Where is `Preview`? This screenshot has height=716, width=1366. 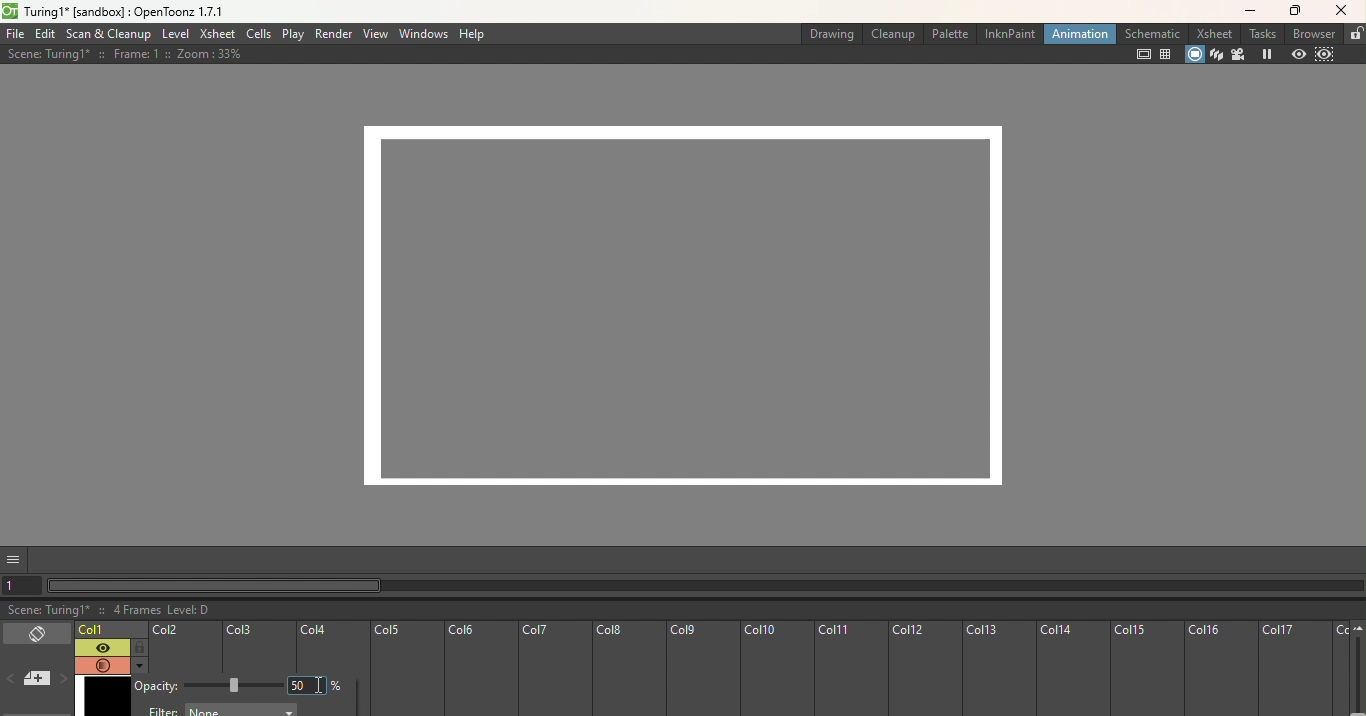 Preview is located at coordinates (1297, 53).